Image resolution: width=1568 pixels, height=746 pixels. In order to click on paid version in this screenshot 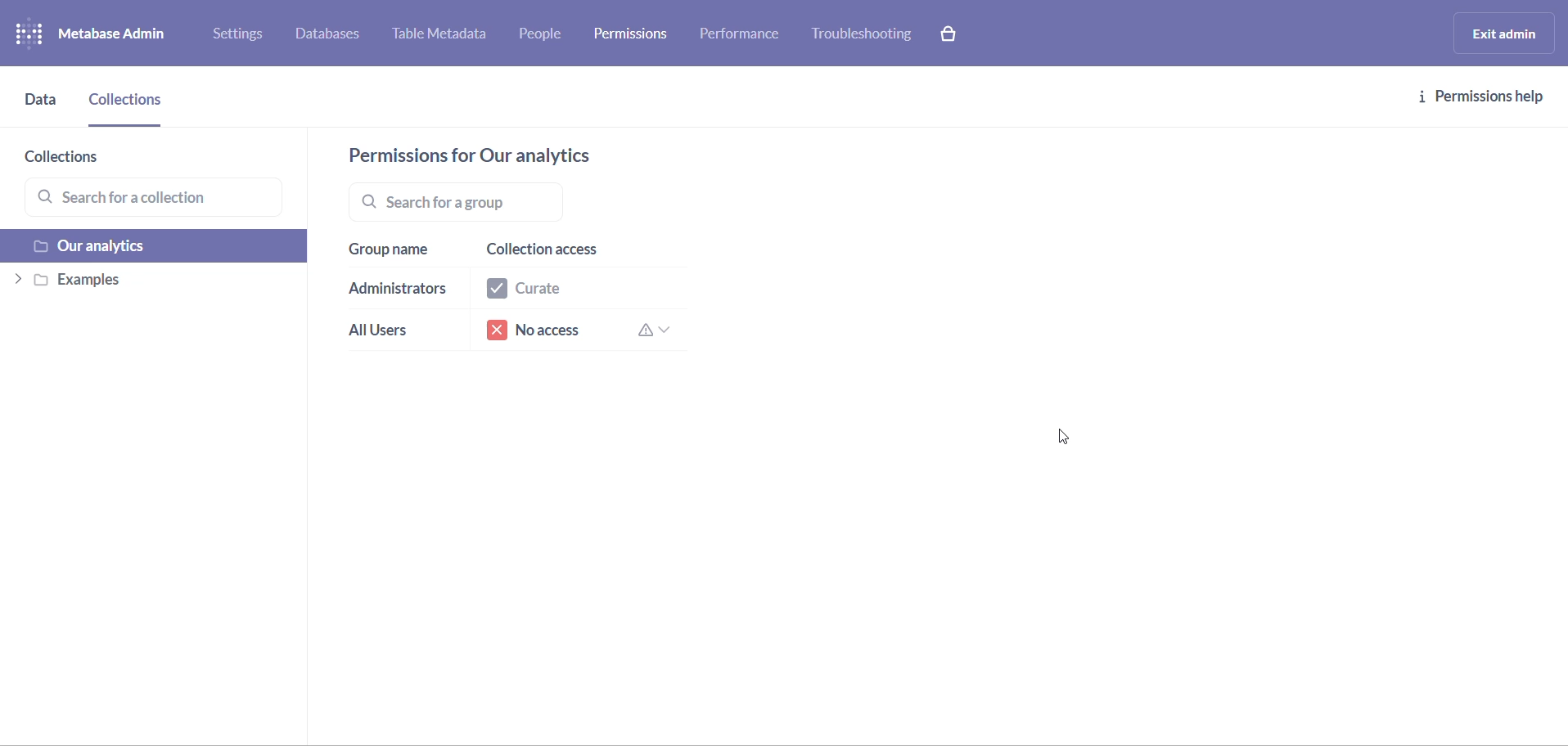, I will do `click(956, 33)`.